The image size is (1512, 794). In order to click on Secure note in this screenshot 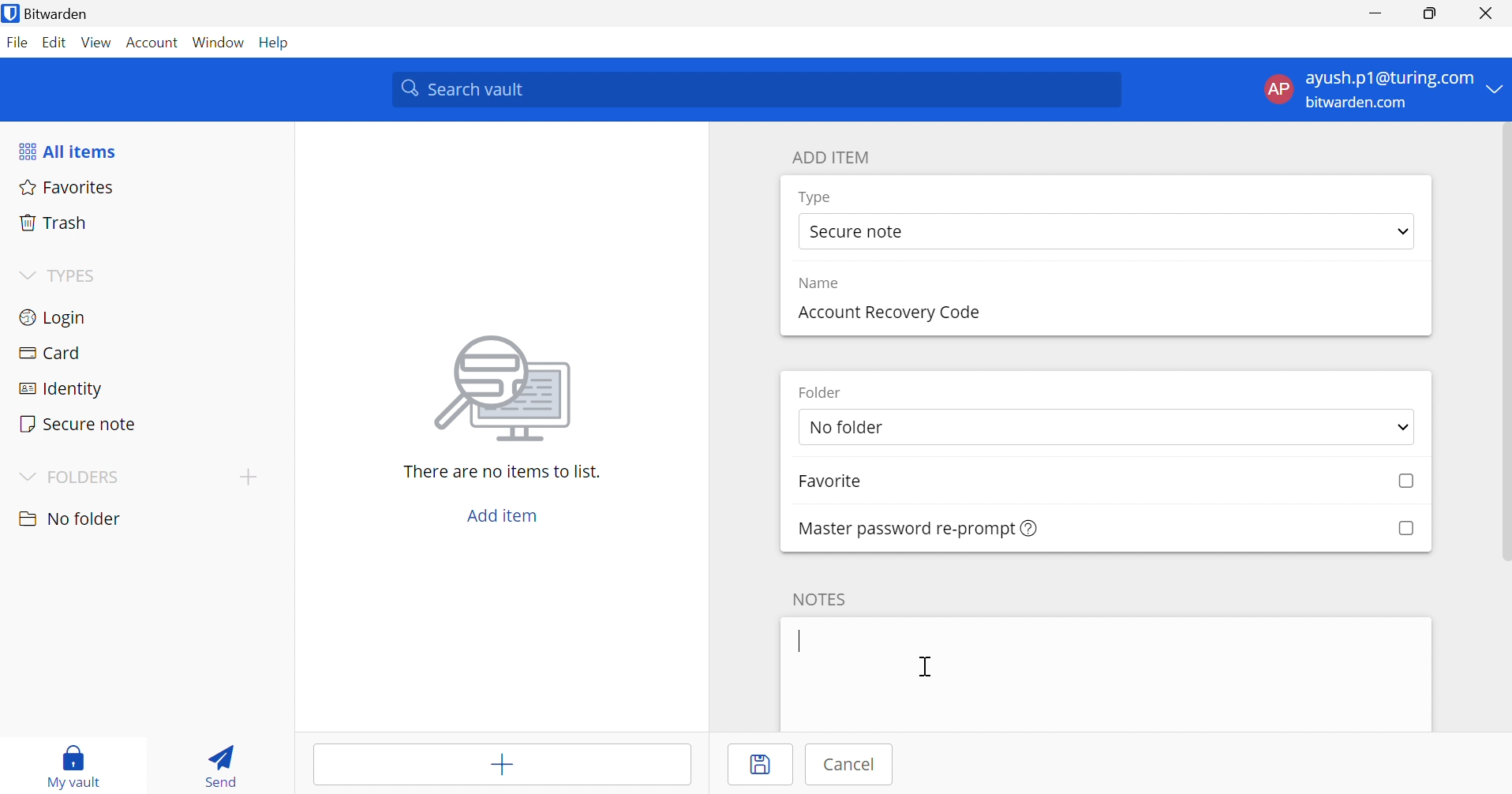, I will do `click(860, 233)`.